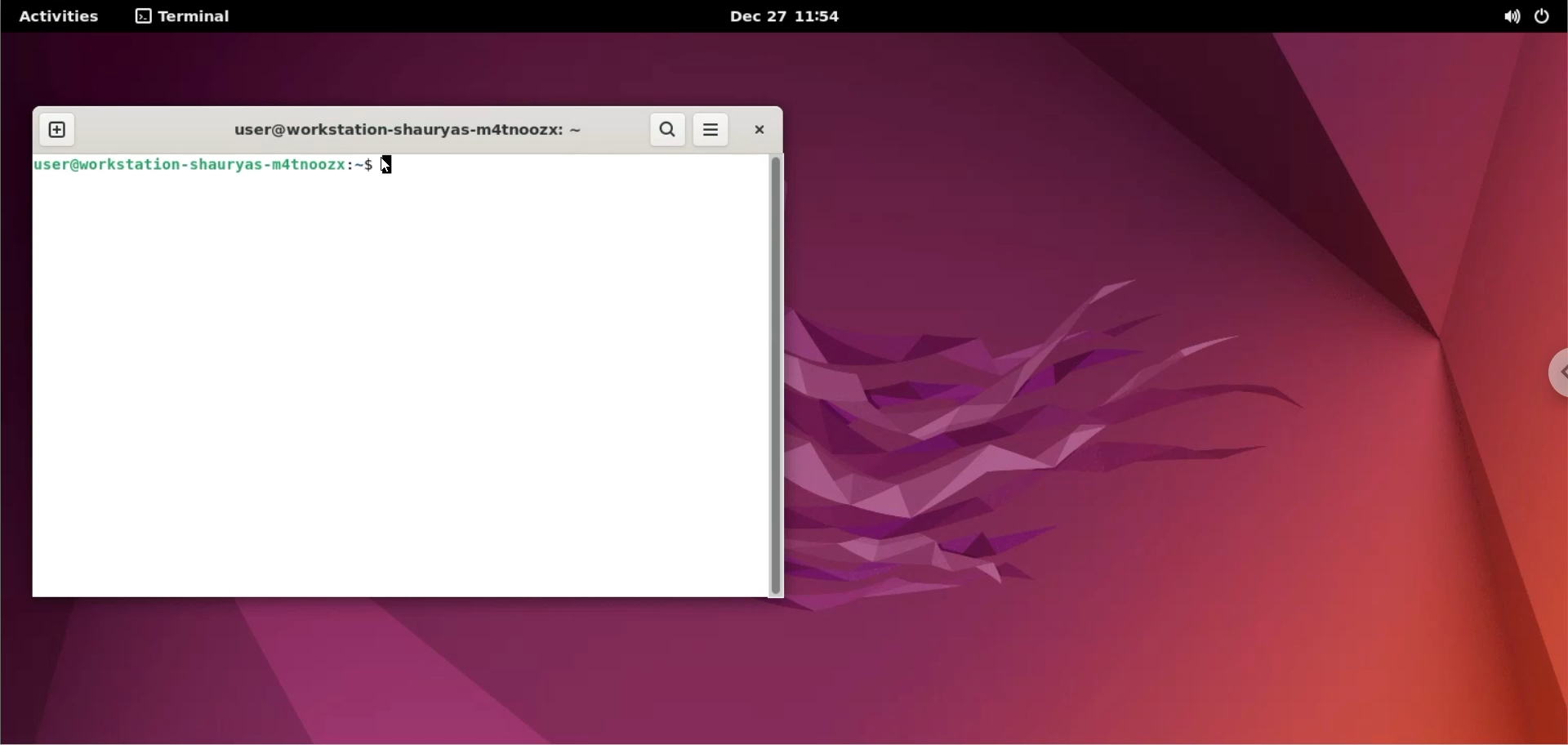 Image resolution: width=1568 pixels, height=745 pixels. I want to click on terminal options, so click(184, 17).